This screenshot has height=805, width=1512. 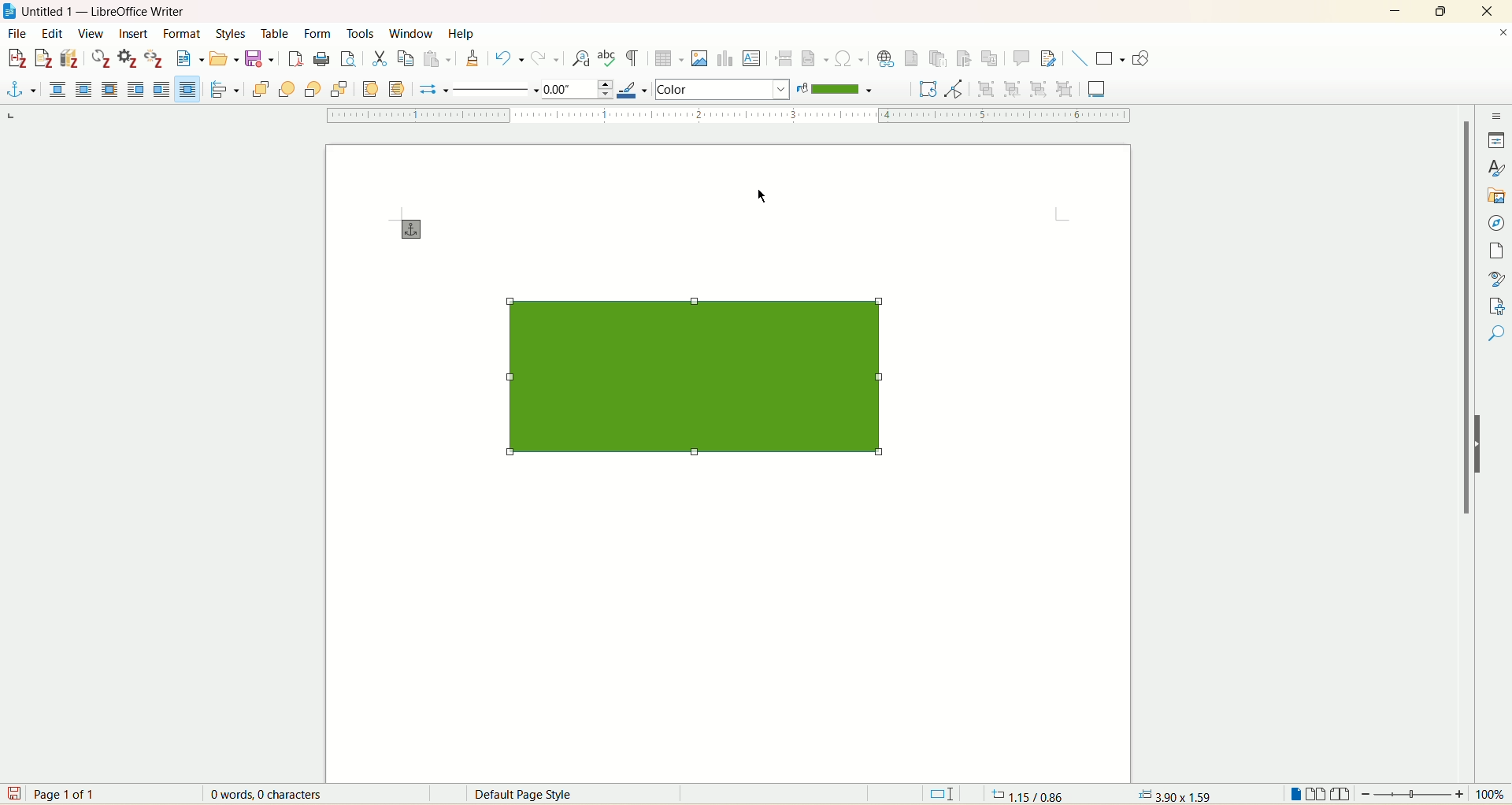 I want to click on ruler bar, so click(x=725, y=117).